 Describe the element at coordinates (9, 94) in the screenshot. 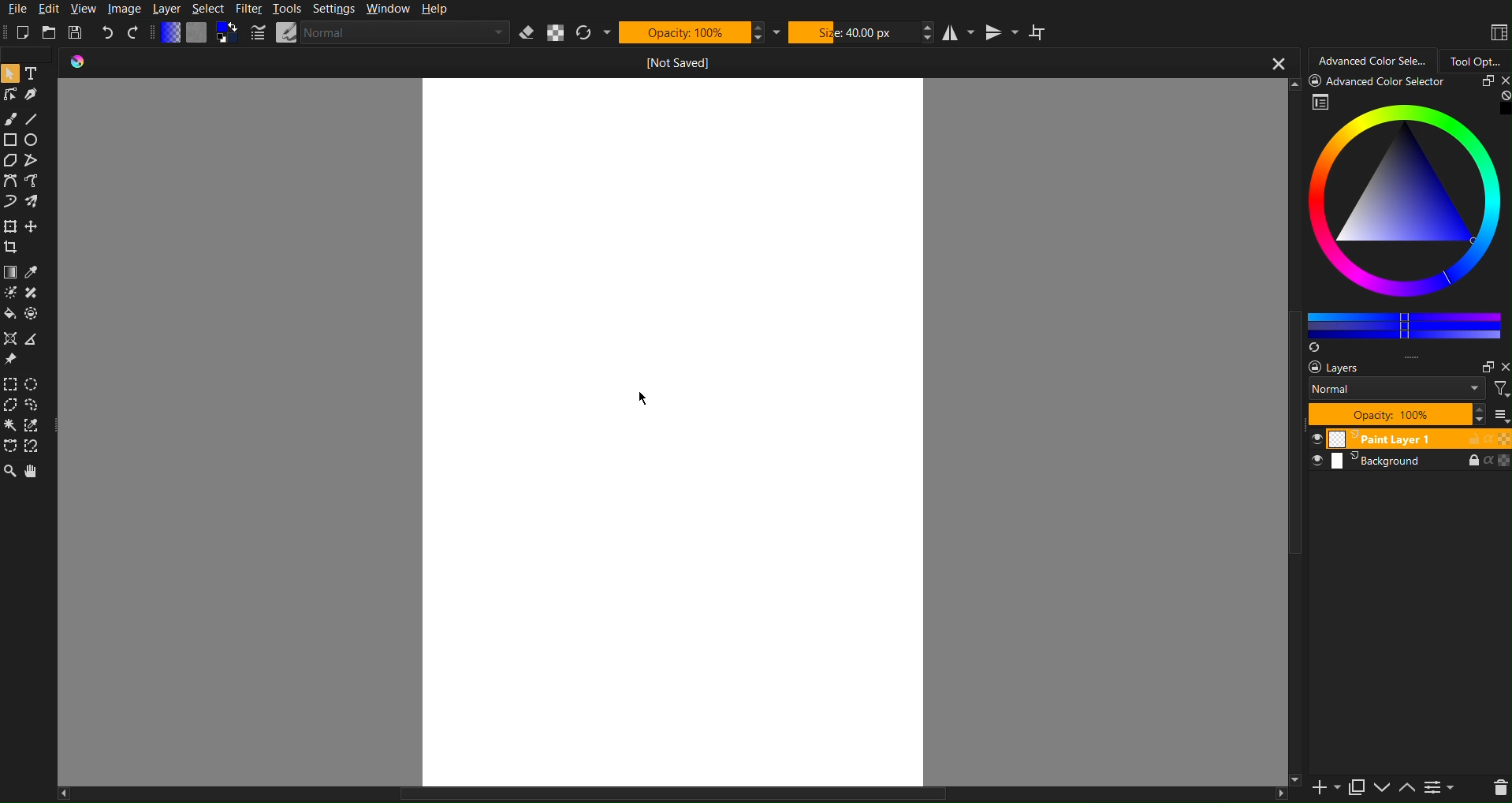

I see `Linework` at that location.